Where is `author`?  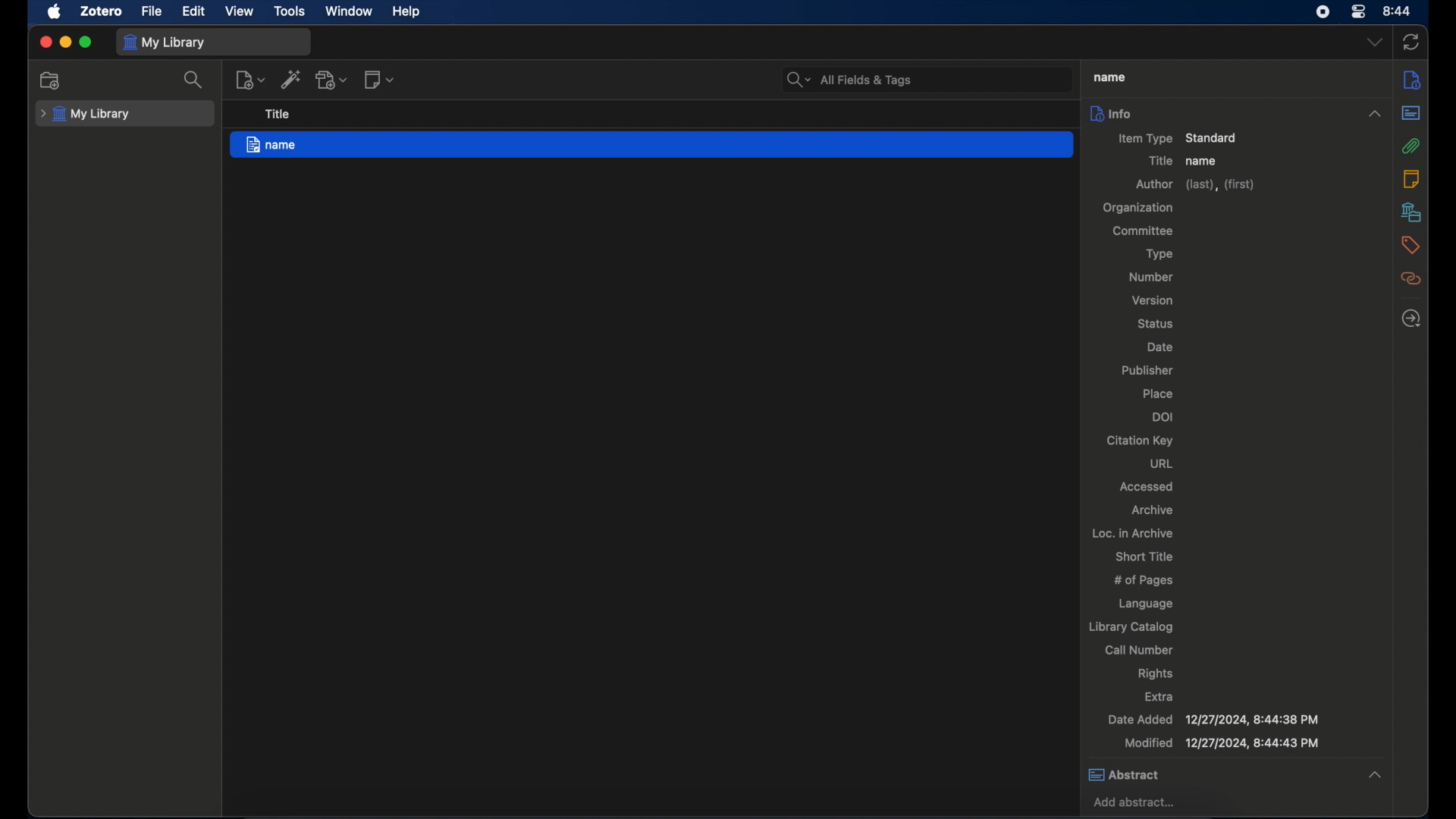 author is located at coordinates (1193, 185).